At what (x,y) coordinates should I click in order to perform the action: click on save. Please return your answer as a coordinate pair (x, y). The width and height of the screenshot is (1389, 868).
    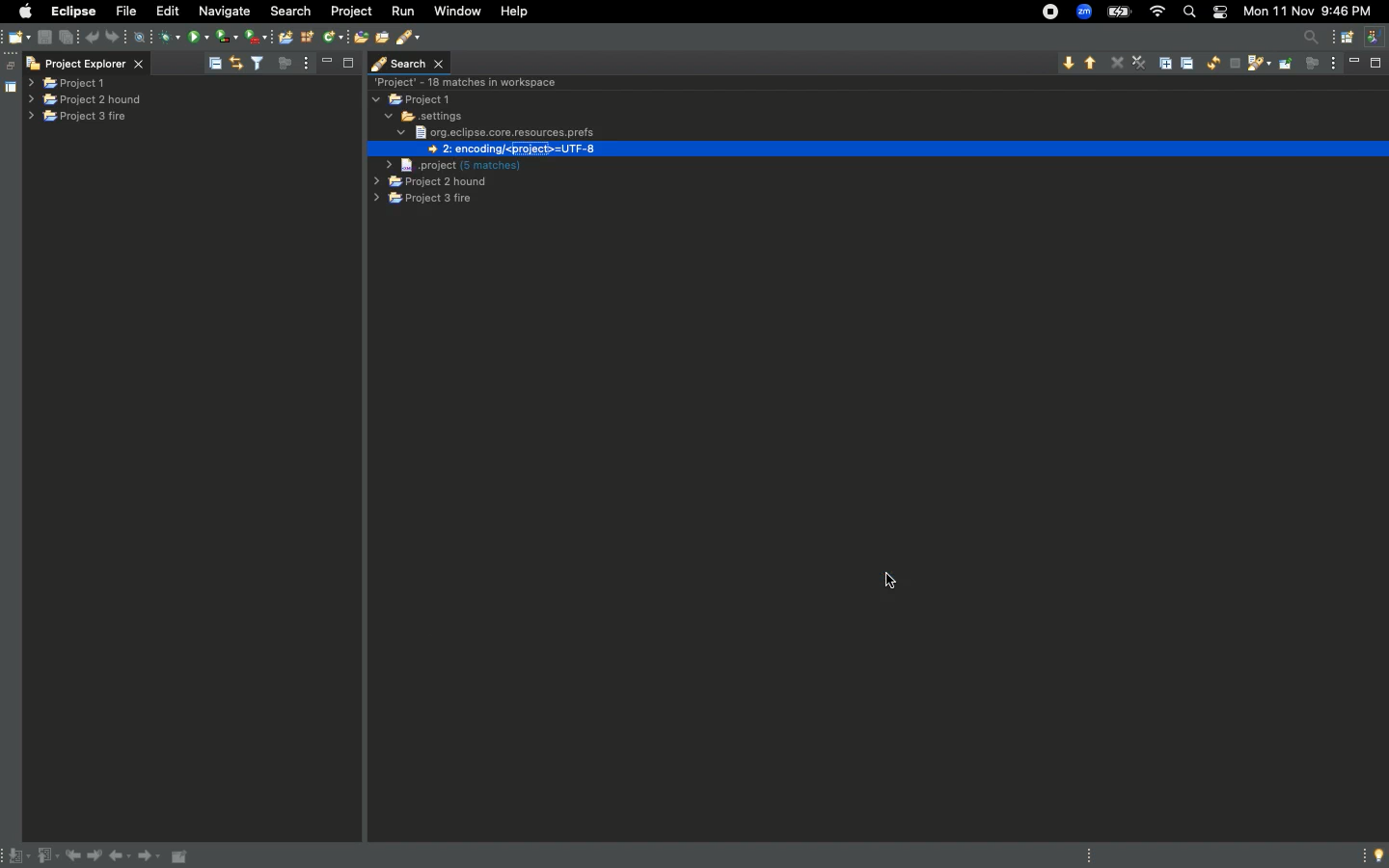
    Looking at the image, I should click on (45, 38).